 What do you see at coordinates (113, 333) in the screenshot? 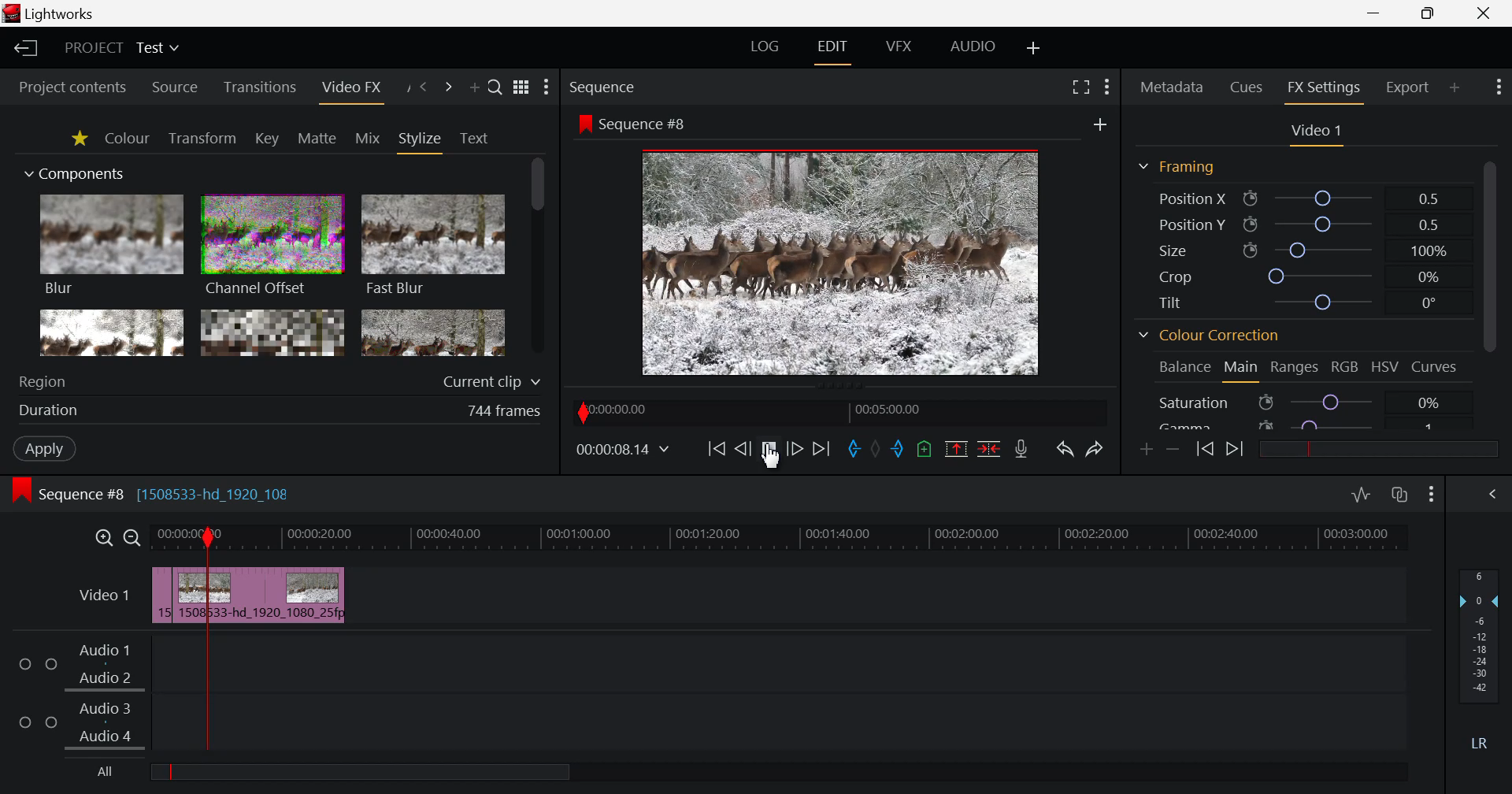
I see `Glow` at bounding box center [113, 333].